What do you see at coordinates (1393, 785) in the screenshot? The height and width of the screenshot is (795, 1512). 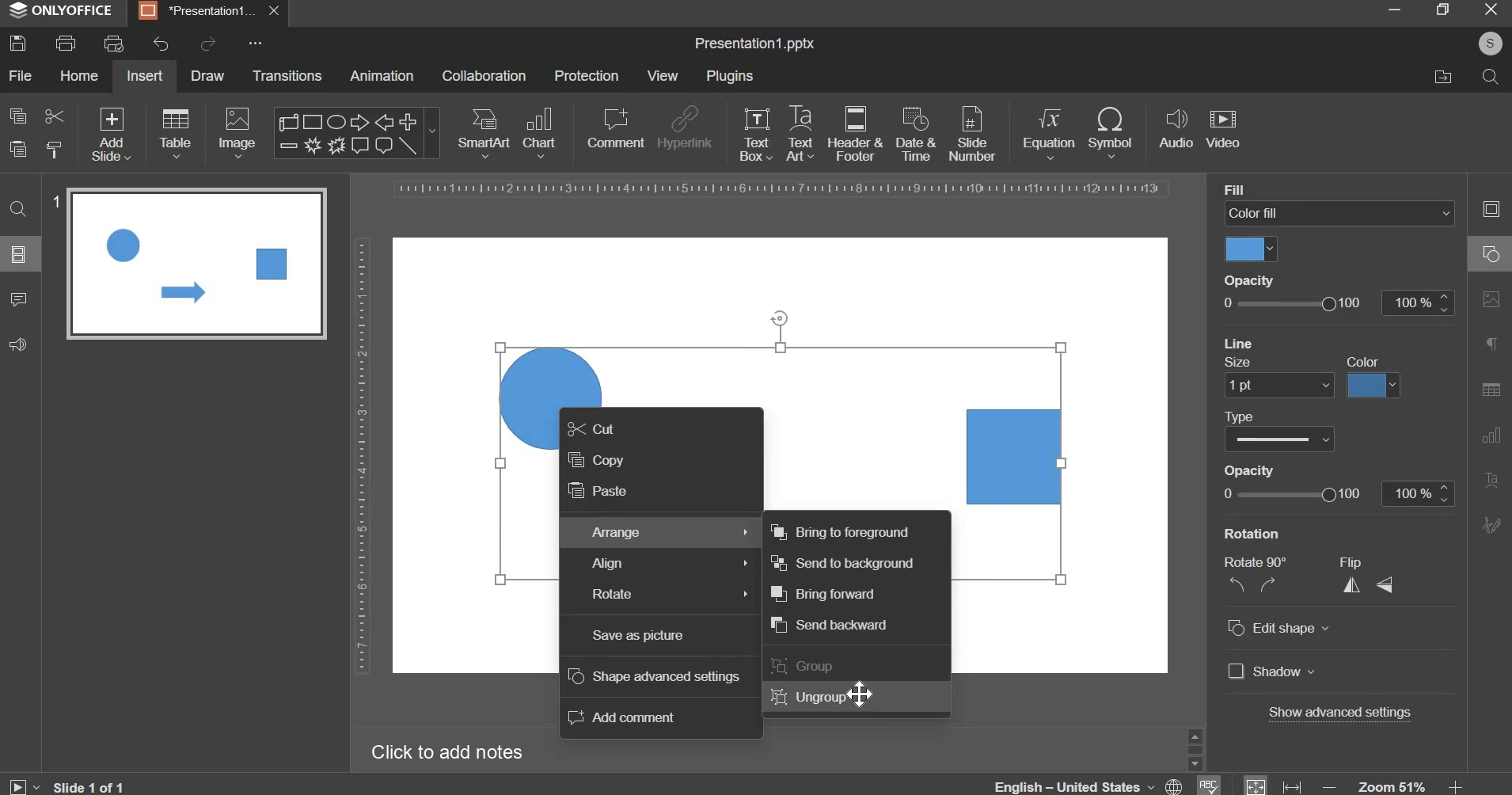 I see `zoom` at bounding box center [1393, 785].